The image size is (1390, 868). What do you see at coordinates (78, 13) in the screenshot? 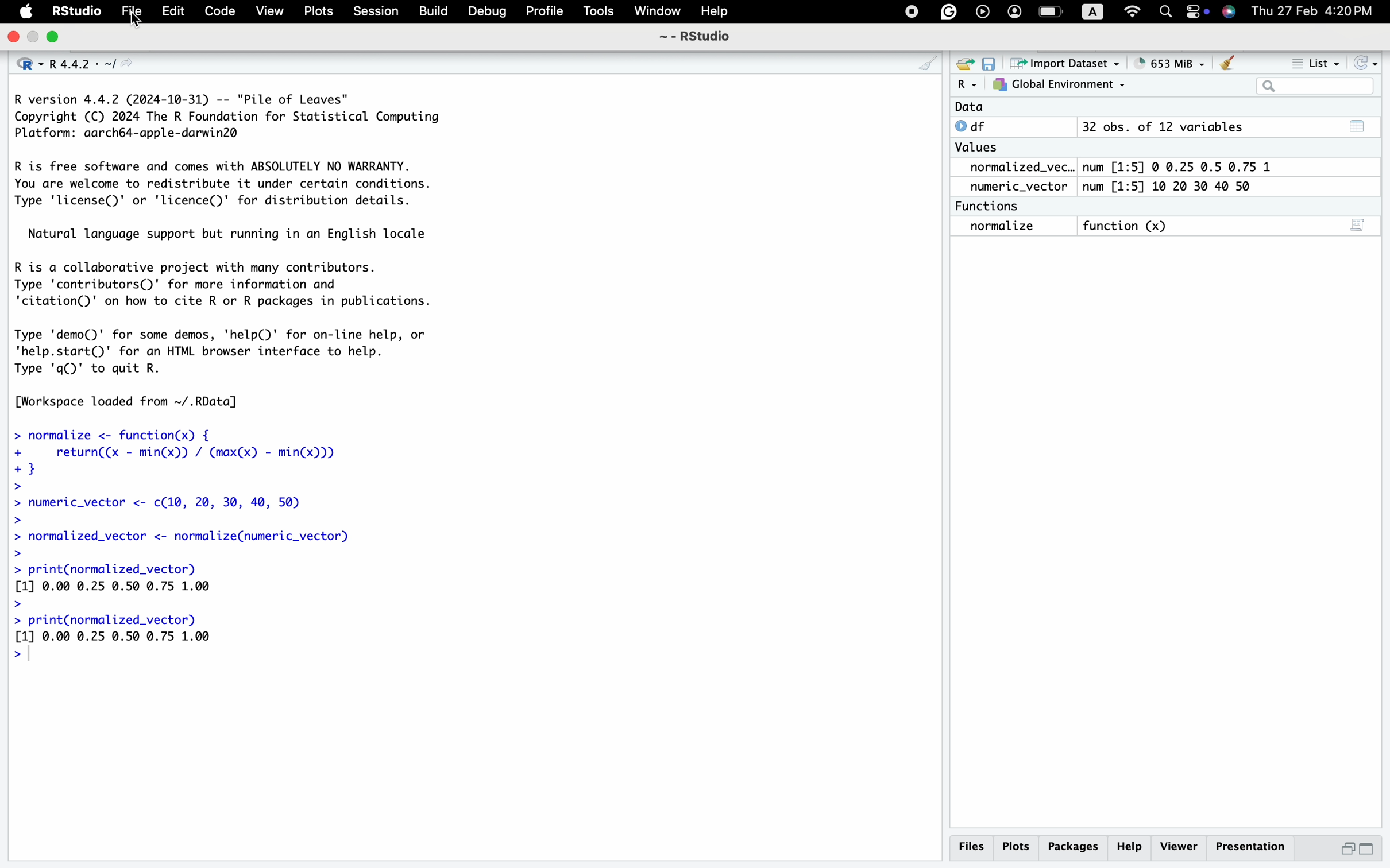
I see `RStudio` at bounding box center [78, 13].